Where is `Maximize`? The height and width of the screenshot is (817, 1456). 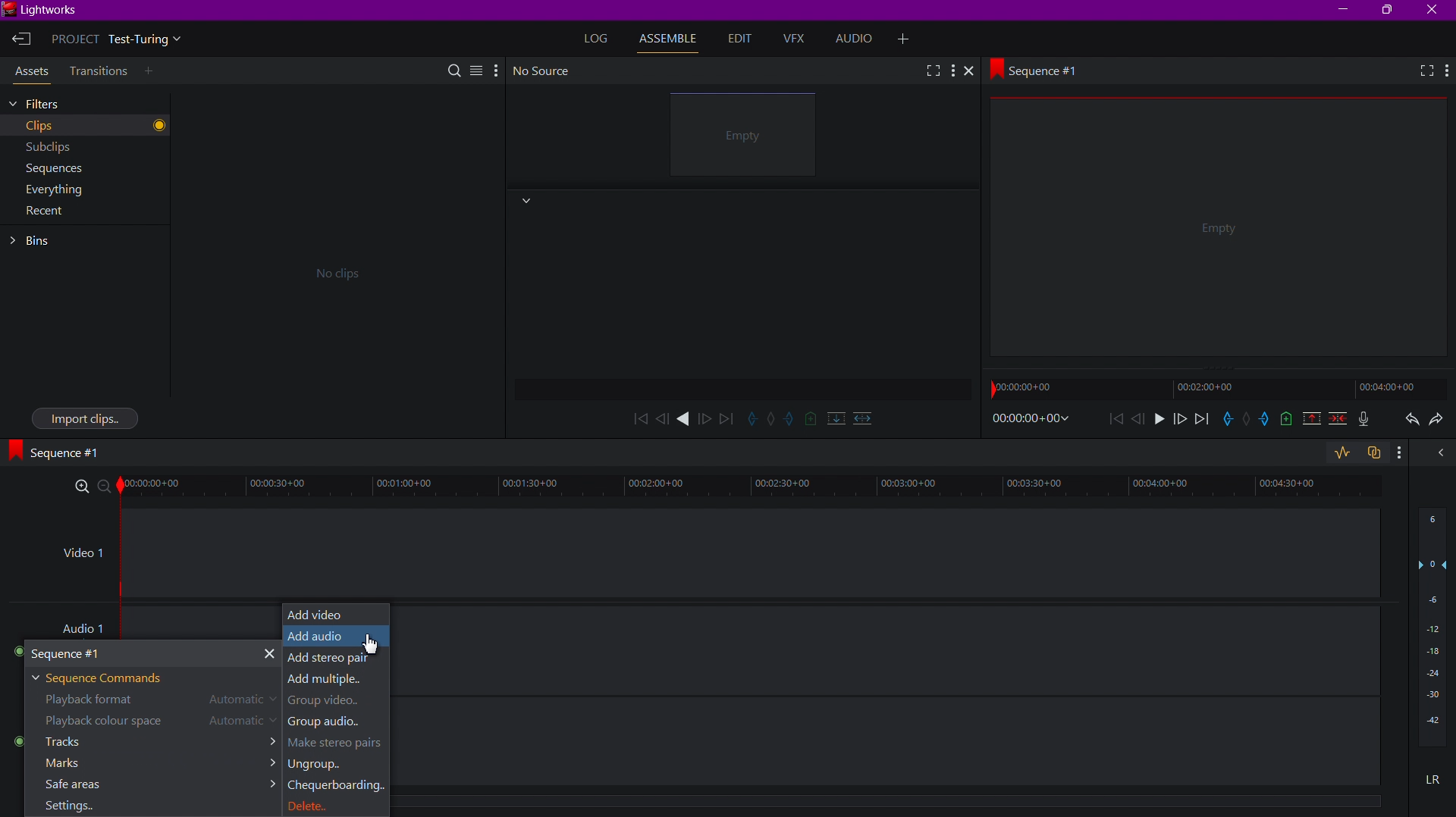 Maximize is located at coordinates (1390, 11).